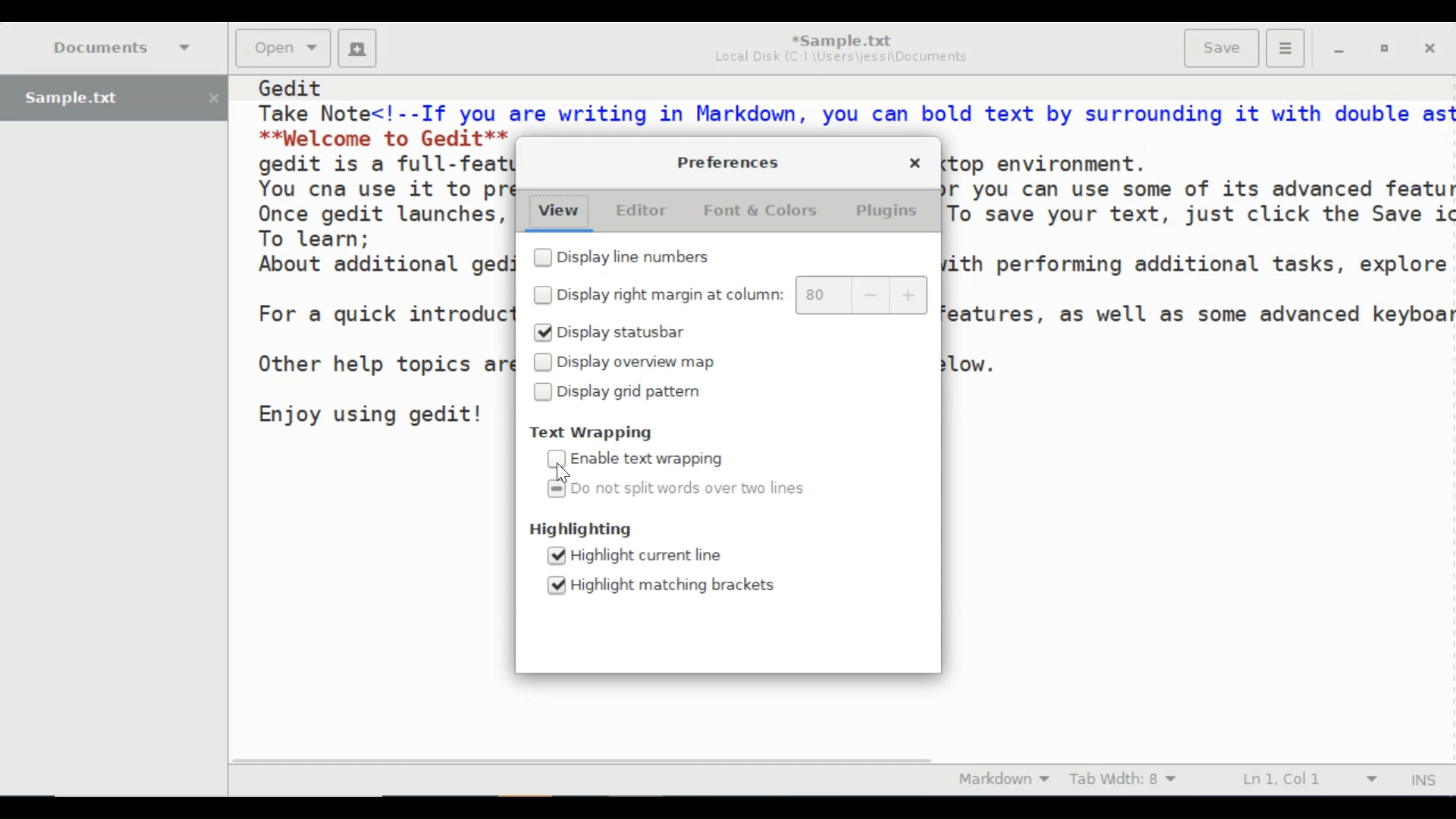 The width and height of the screenshot is (1456, 819). Describe the element at coordinates (580, 529) in the screenshot. I see `Highlighting` at that location.